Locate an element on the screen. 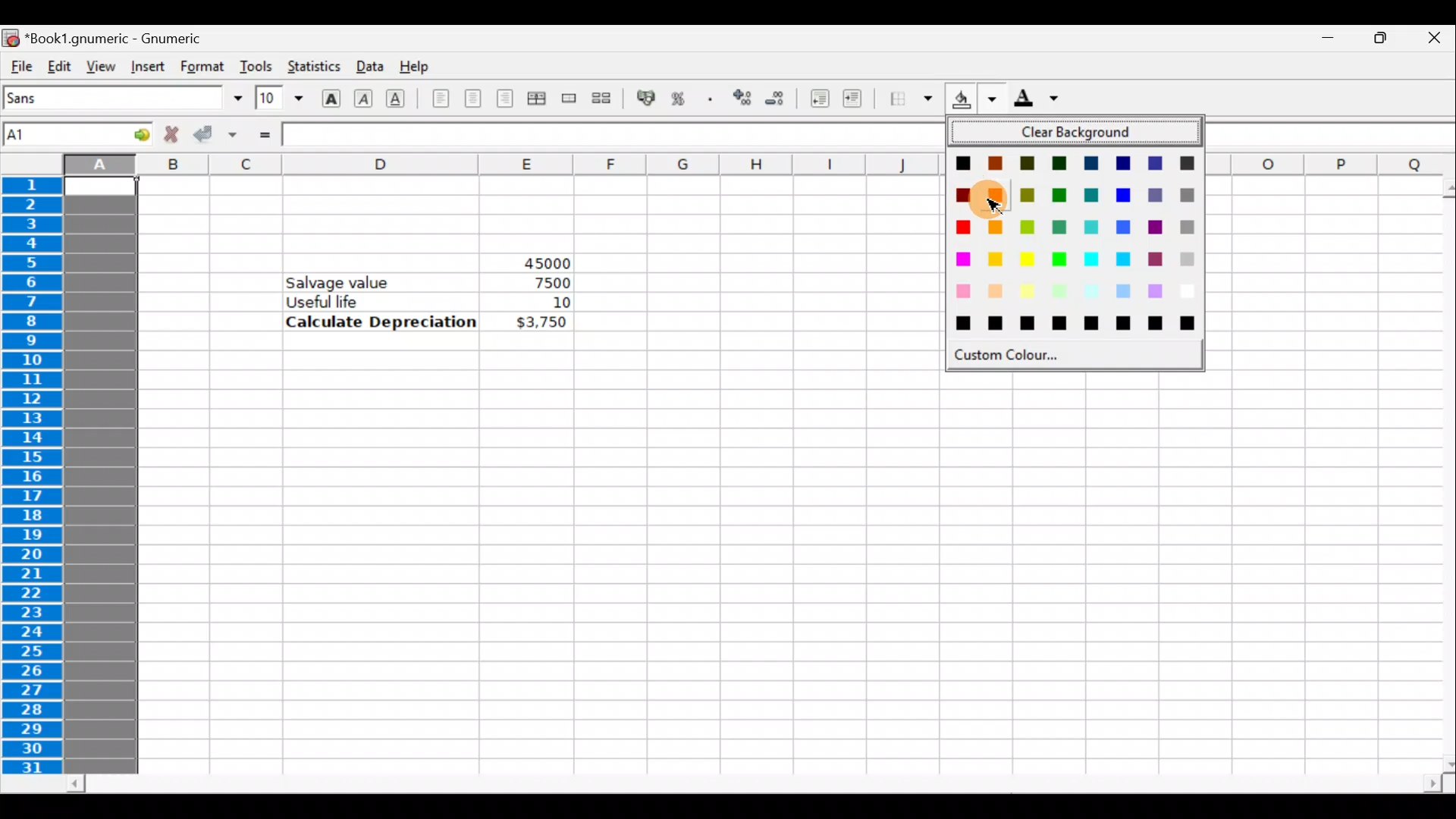 The image size is (1456, 819). Merge a range of cells is located at coordinates (570, 101).